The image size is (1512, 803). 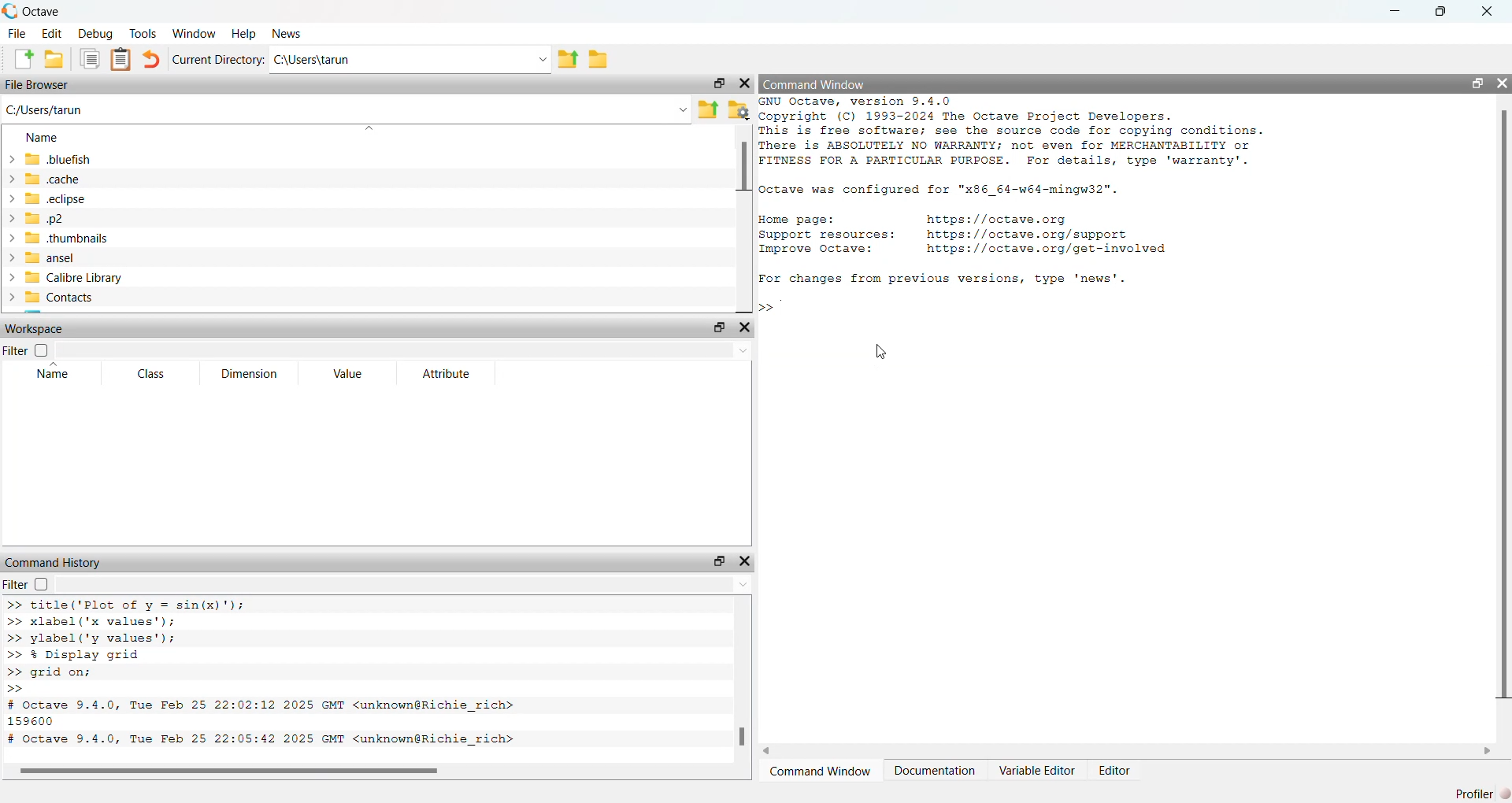 What do you see at coordinates (42, 12) in the screenshot?
I see `Octave` at bounding box center [42, 12].